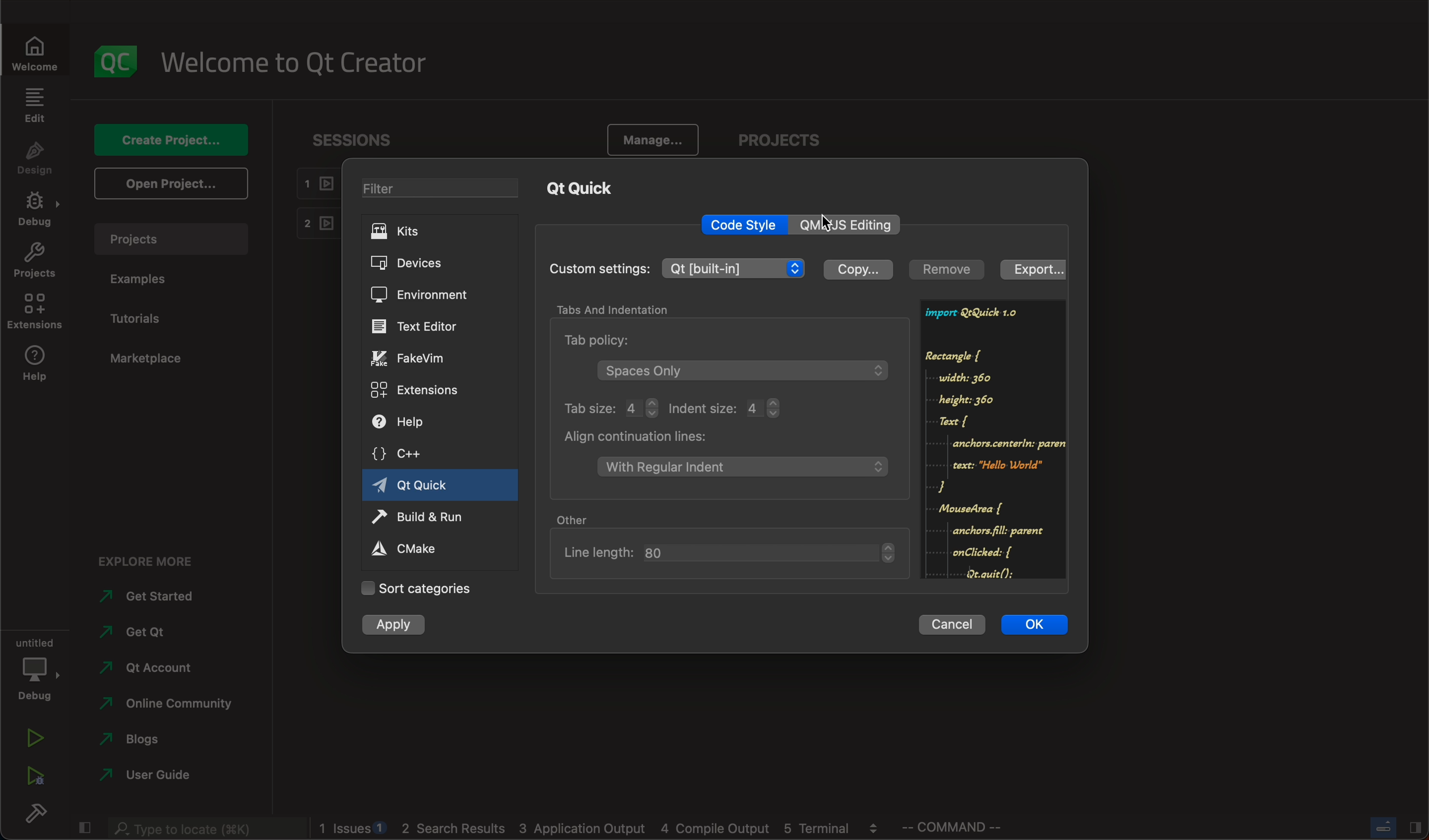 The height and width of the screenshot is (840, 1429). I want to click on qt quick, so click(584, 191).